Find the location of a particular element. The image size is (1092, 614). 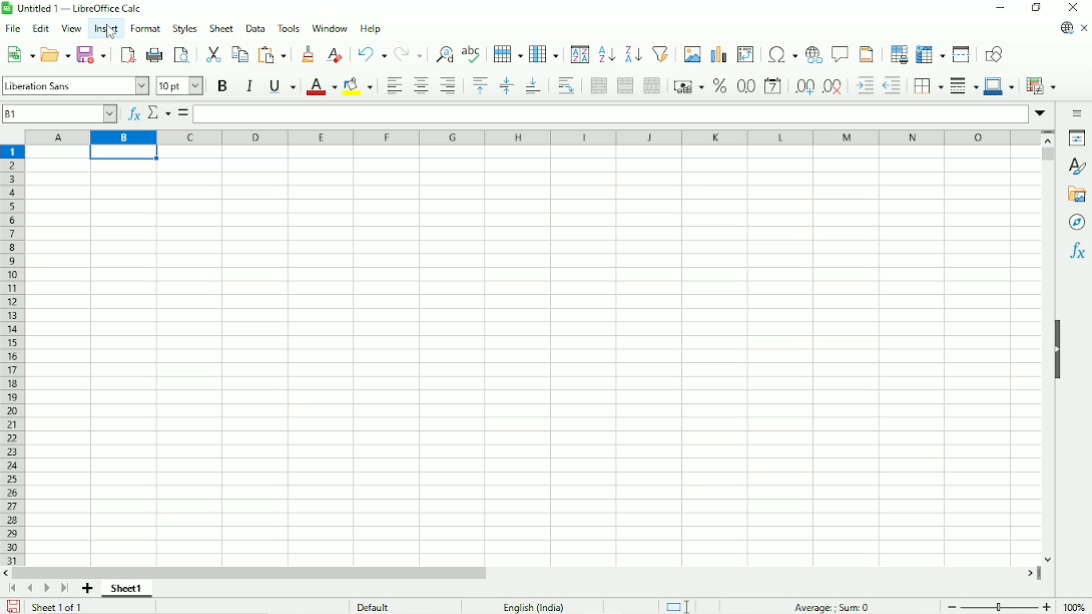

Undo is located at coordinates (372, 53).